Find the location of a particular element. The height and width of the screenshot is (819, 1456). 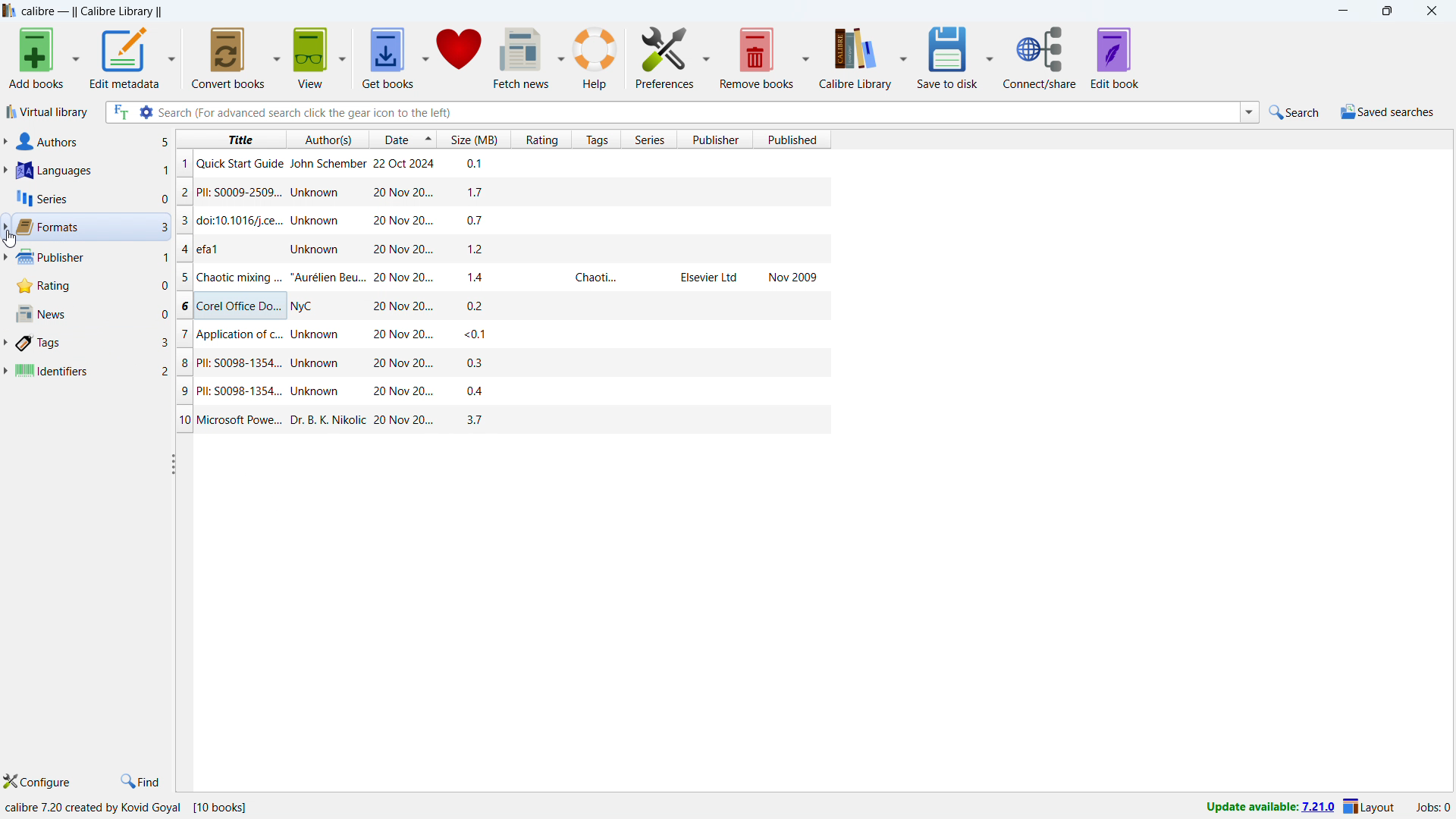

add books is located at coordinates (36, 58).